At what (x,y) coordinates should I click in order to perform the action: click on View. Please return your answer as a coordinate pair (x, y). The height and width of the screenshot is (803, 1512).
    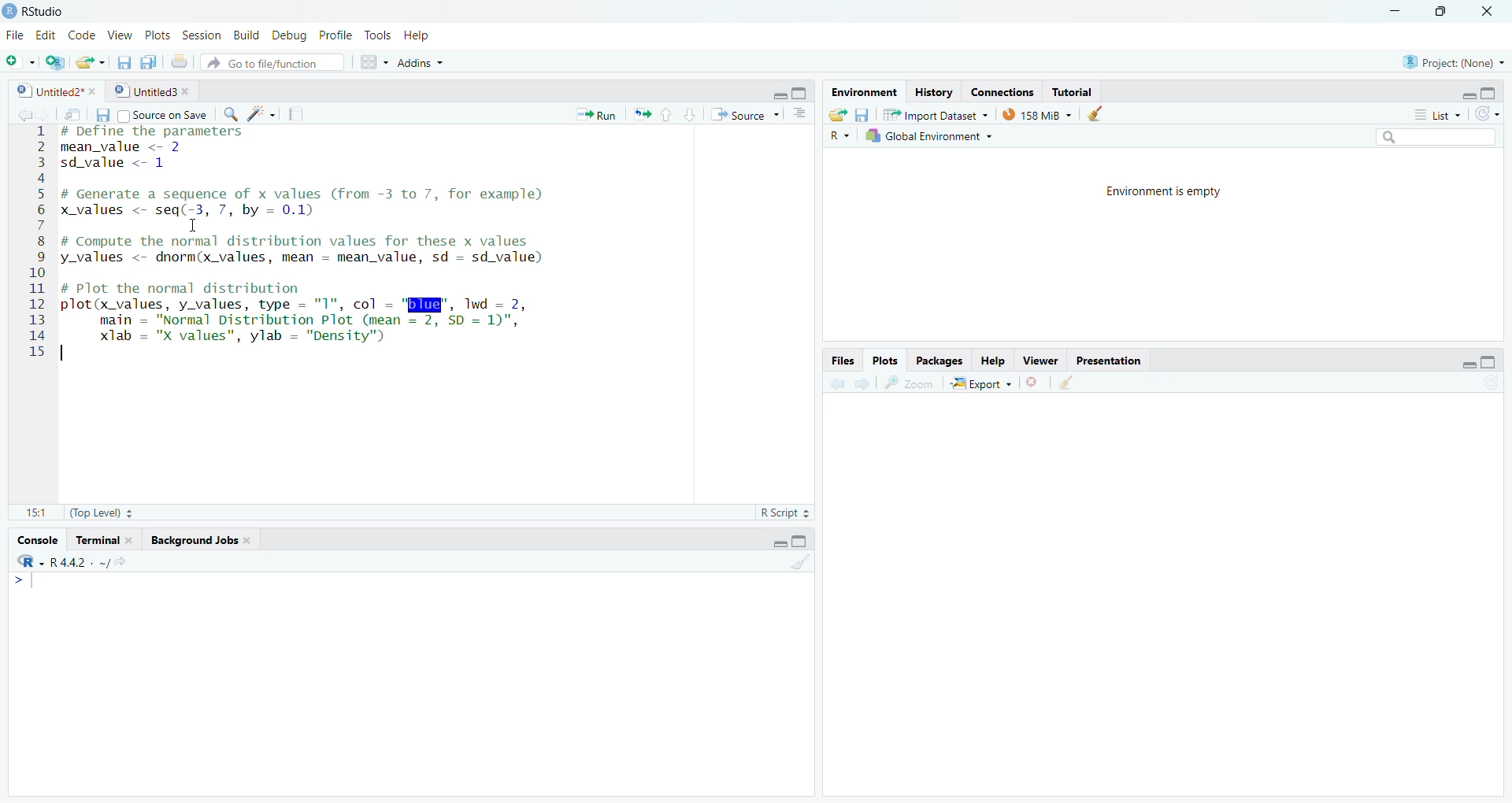
    Looking at the image, I should click on (117, 33).